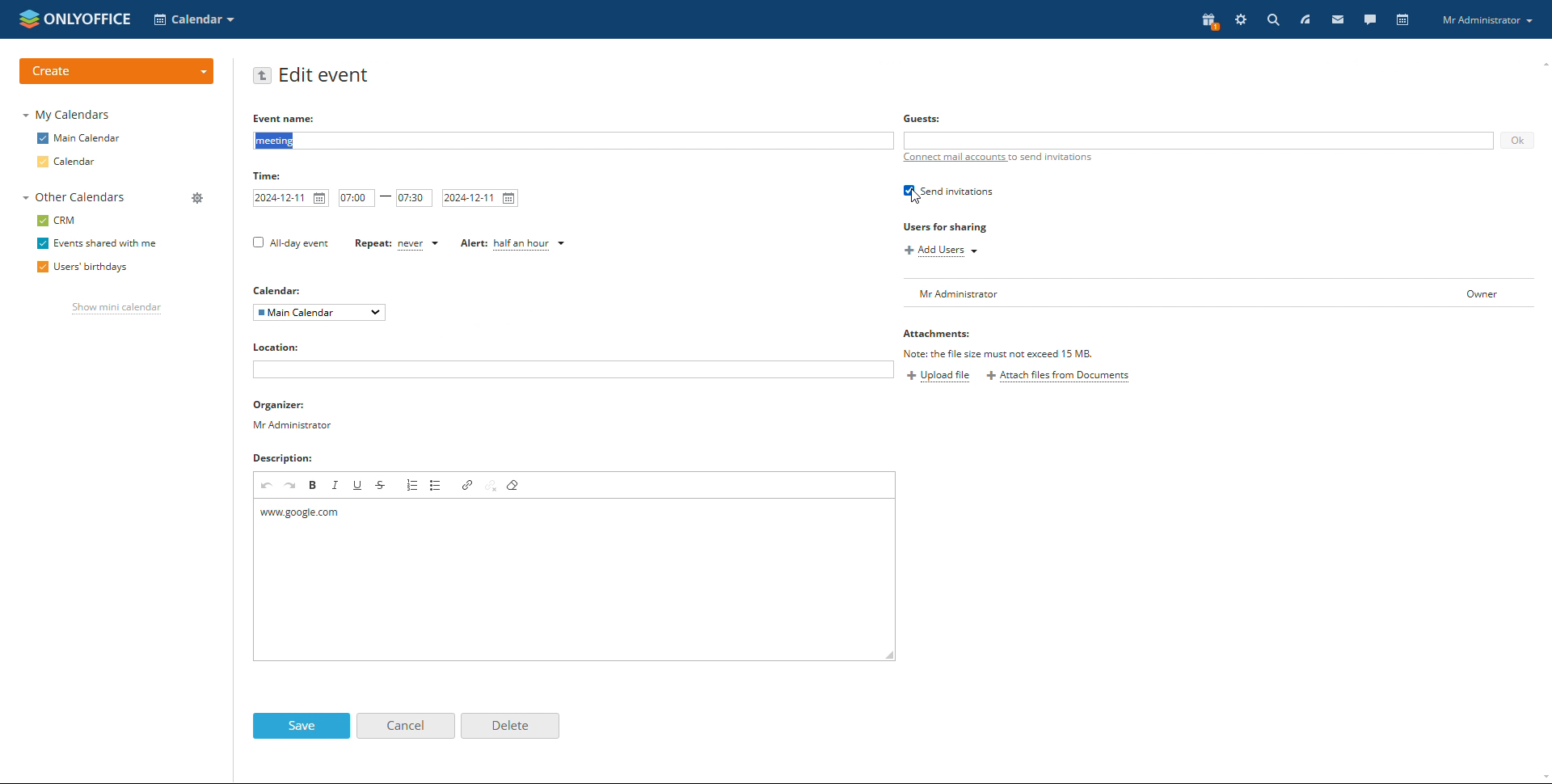 Image resolution: width=1552 pixels, height=784 pixels. I want to click on Attachments: Note: the file size must not exceed 15 MB., so click(1002, 342).